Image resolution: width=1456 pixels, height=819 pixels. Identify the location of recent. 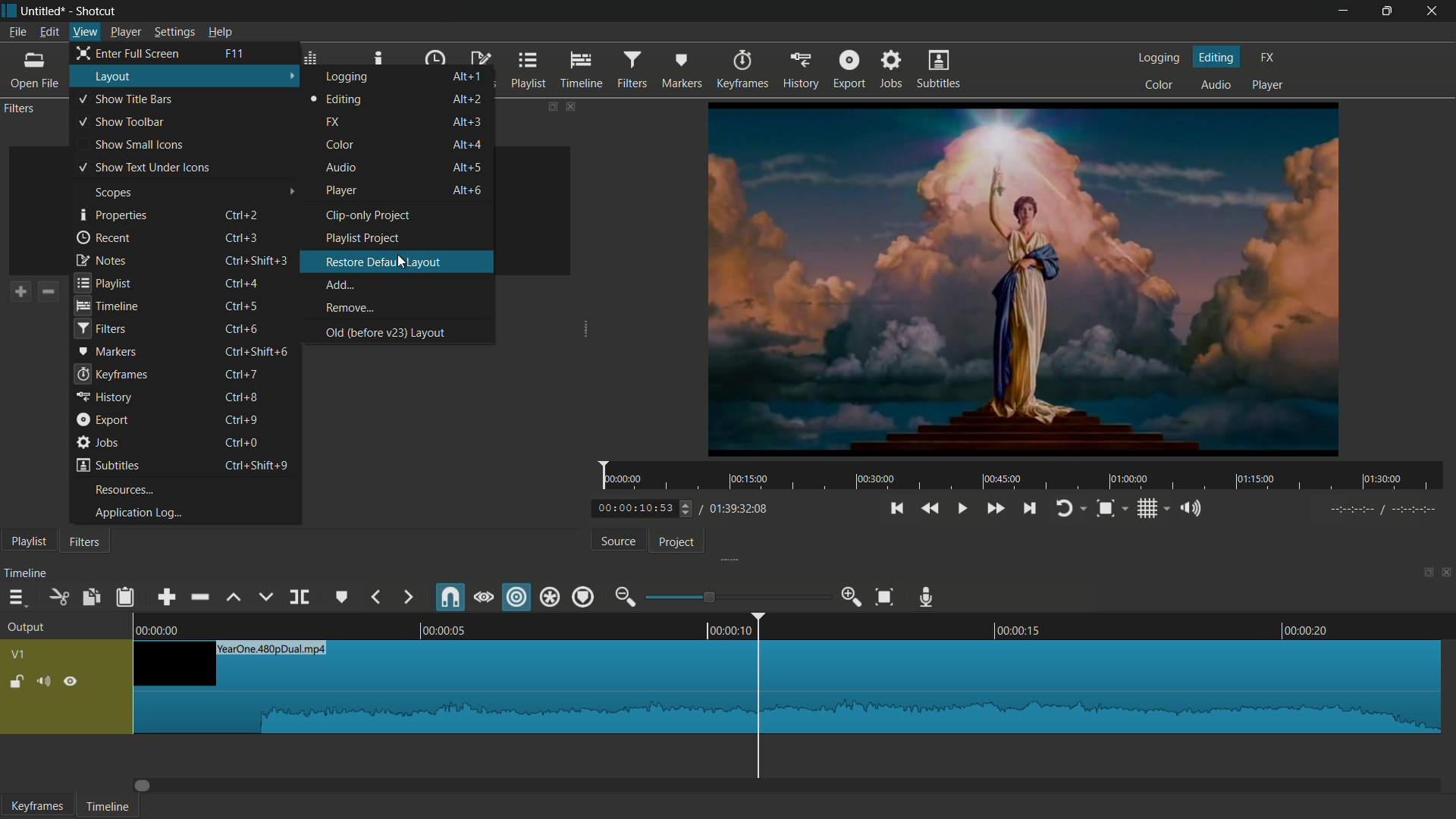
(105, 238).